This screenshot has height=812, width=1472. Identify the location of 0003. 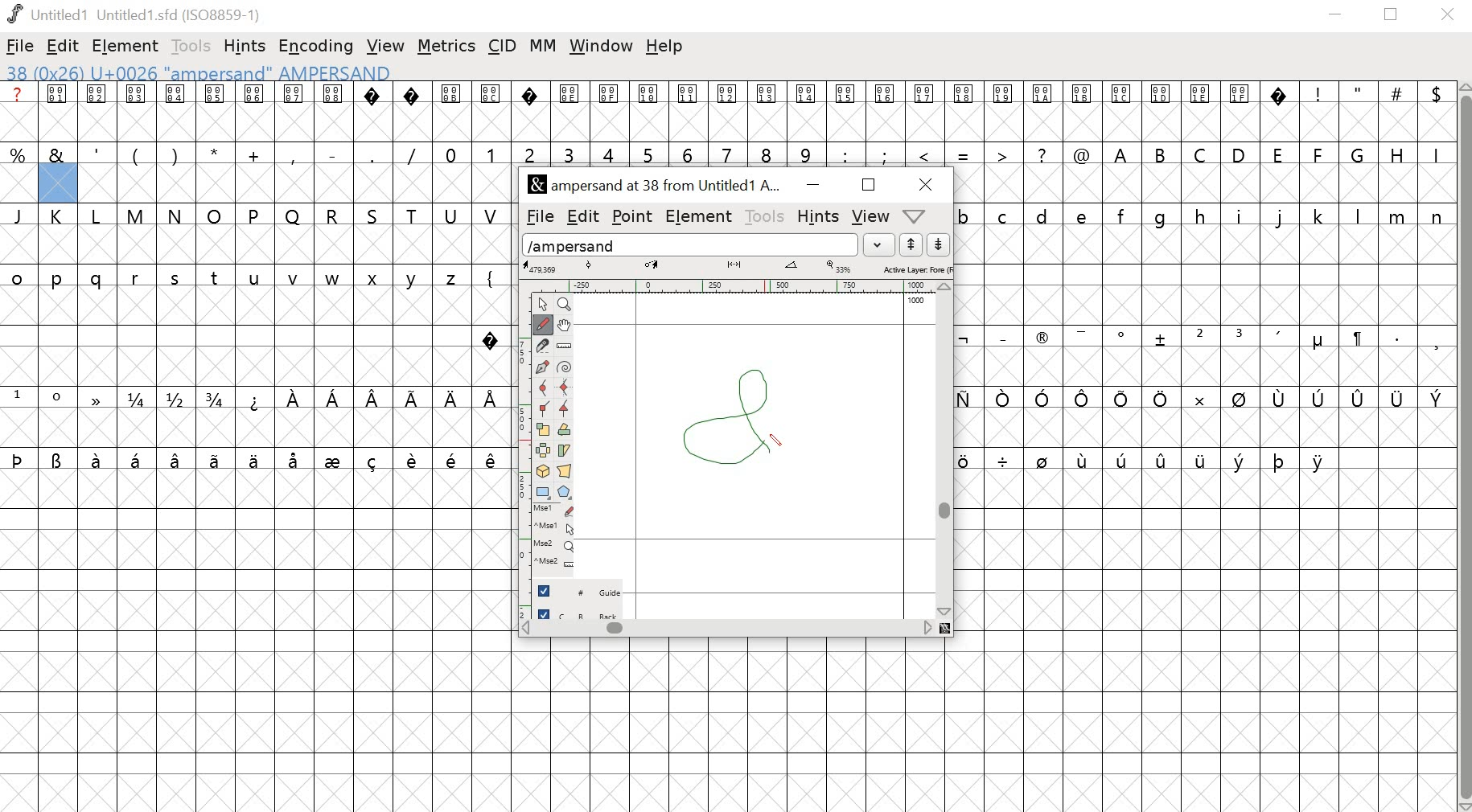
(137, 111).